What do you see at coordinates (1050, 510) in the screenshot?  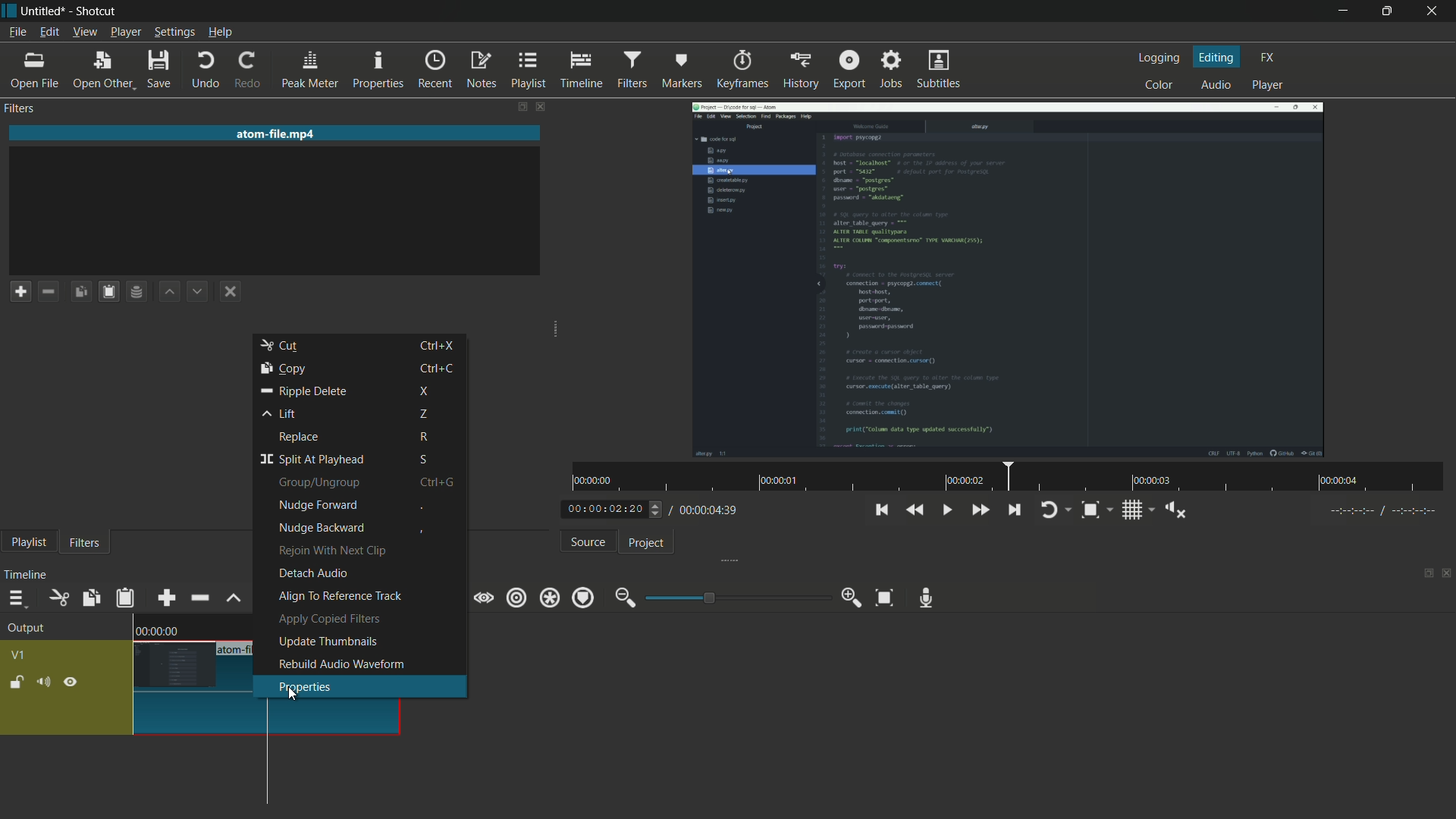 I see `toggle player looping` at bounding box center [1050, 510].